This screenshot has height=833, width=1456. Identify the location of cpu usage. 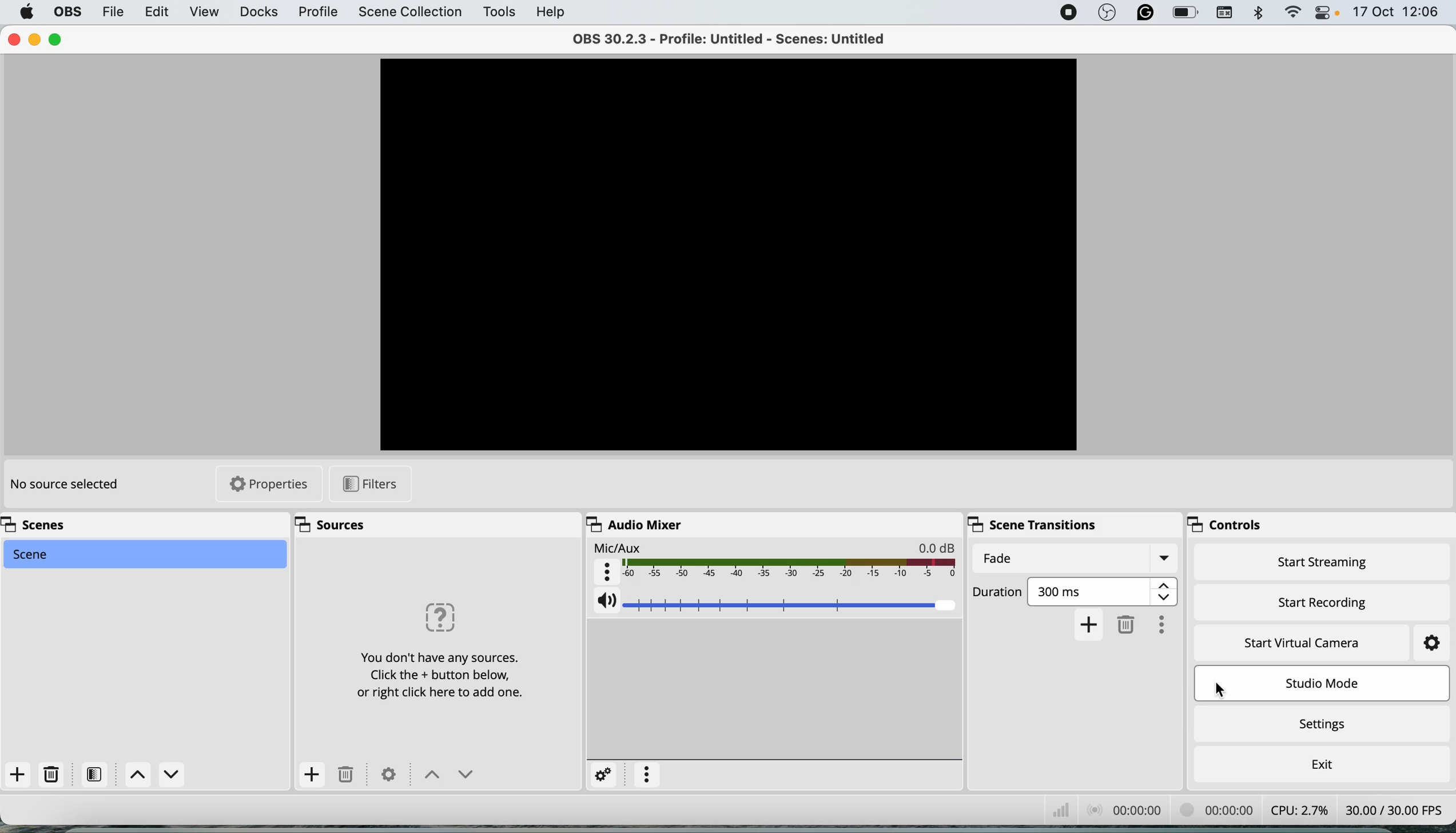
(1295, 810).